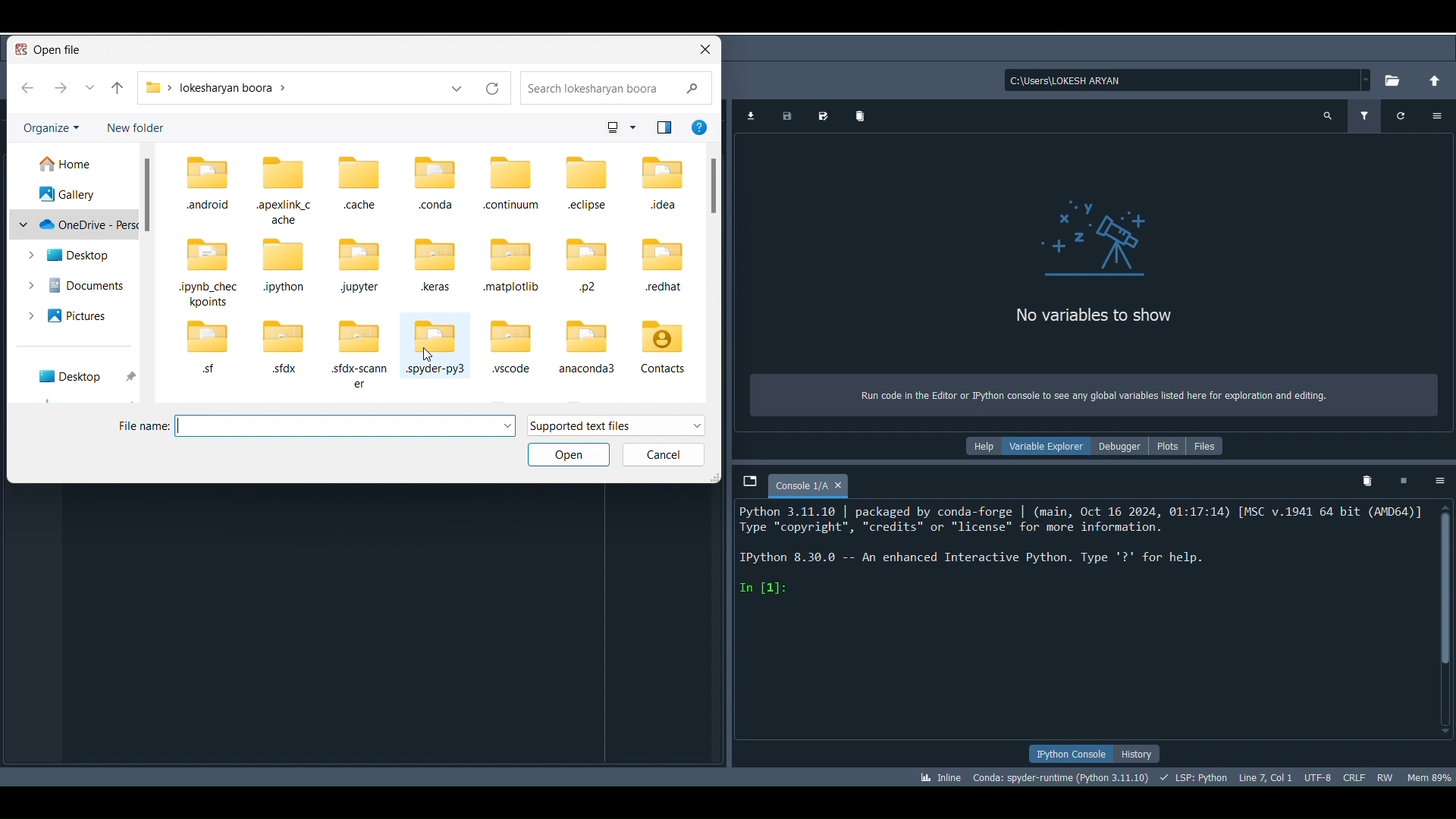 The image size is (1456, 819). What do you see at coordinates (1262, 775) in the screenshot?
I see `Cursor position` at bounding box center [1262, 775].